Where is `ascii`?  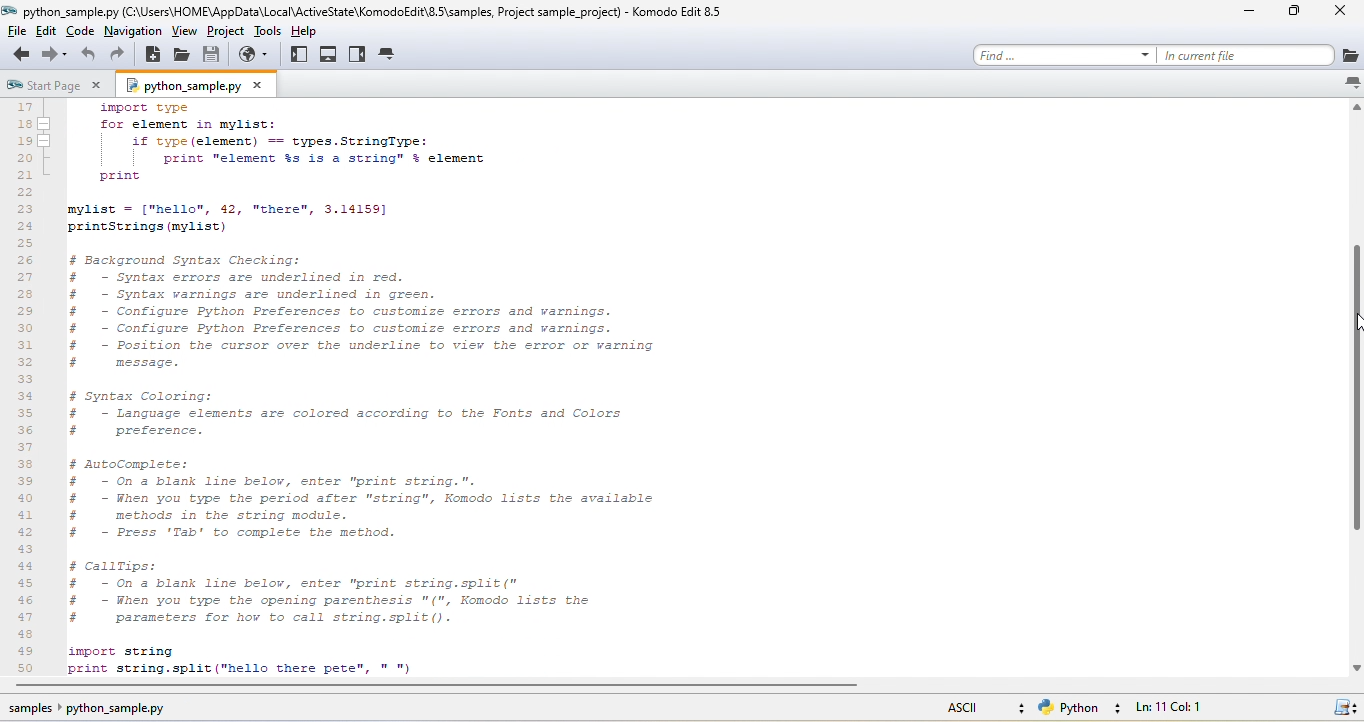
ascii is located at coordinates (981, 705).